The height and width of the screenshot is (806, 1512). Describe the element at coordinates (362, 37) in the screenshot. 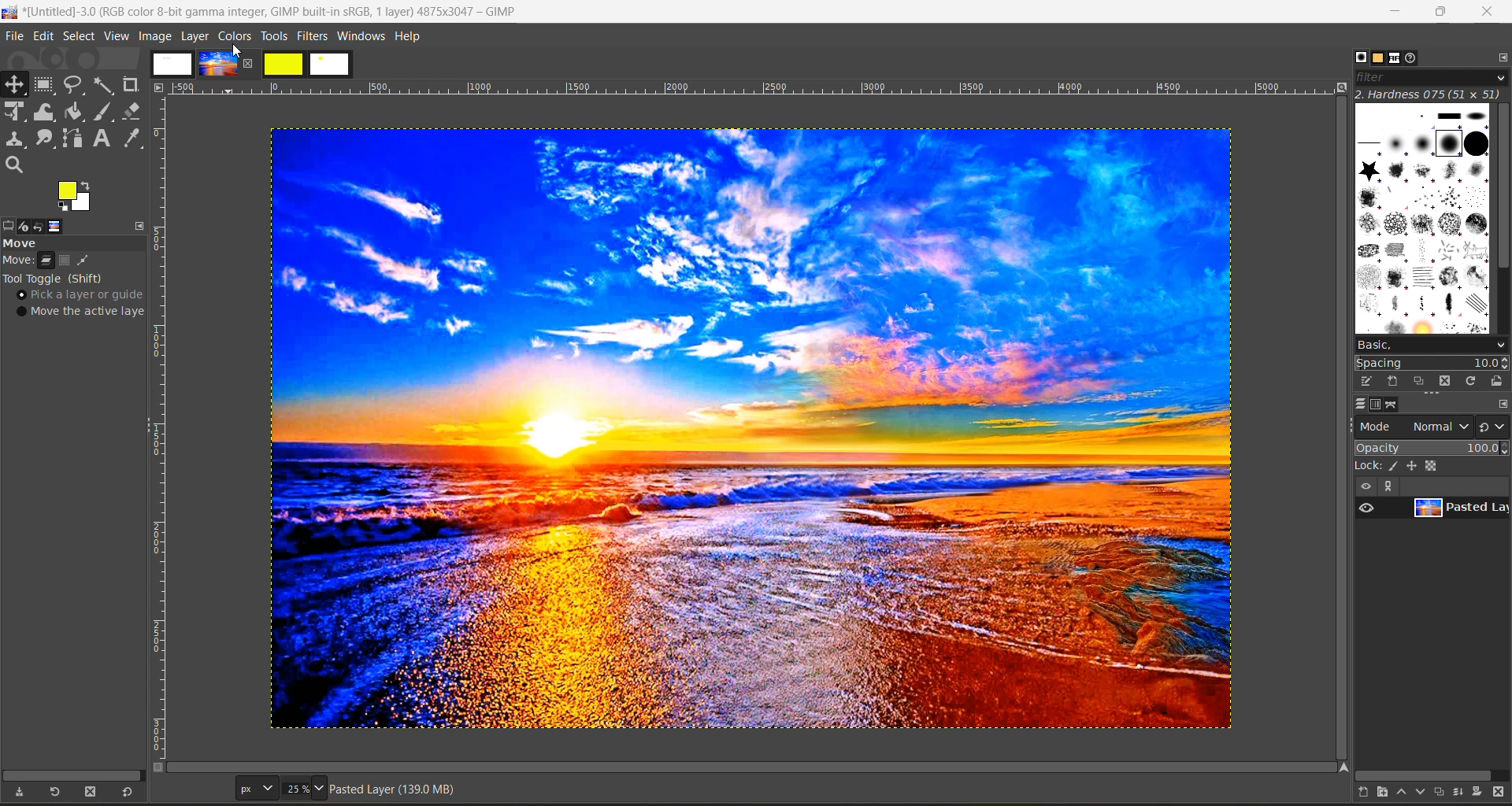

I see `windows` at that location.